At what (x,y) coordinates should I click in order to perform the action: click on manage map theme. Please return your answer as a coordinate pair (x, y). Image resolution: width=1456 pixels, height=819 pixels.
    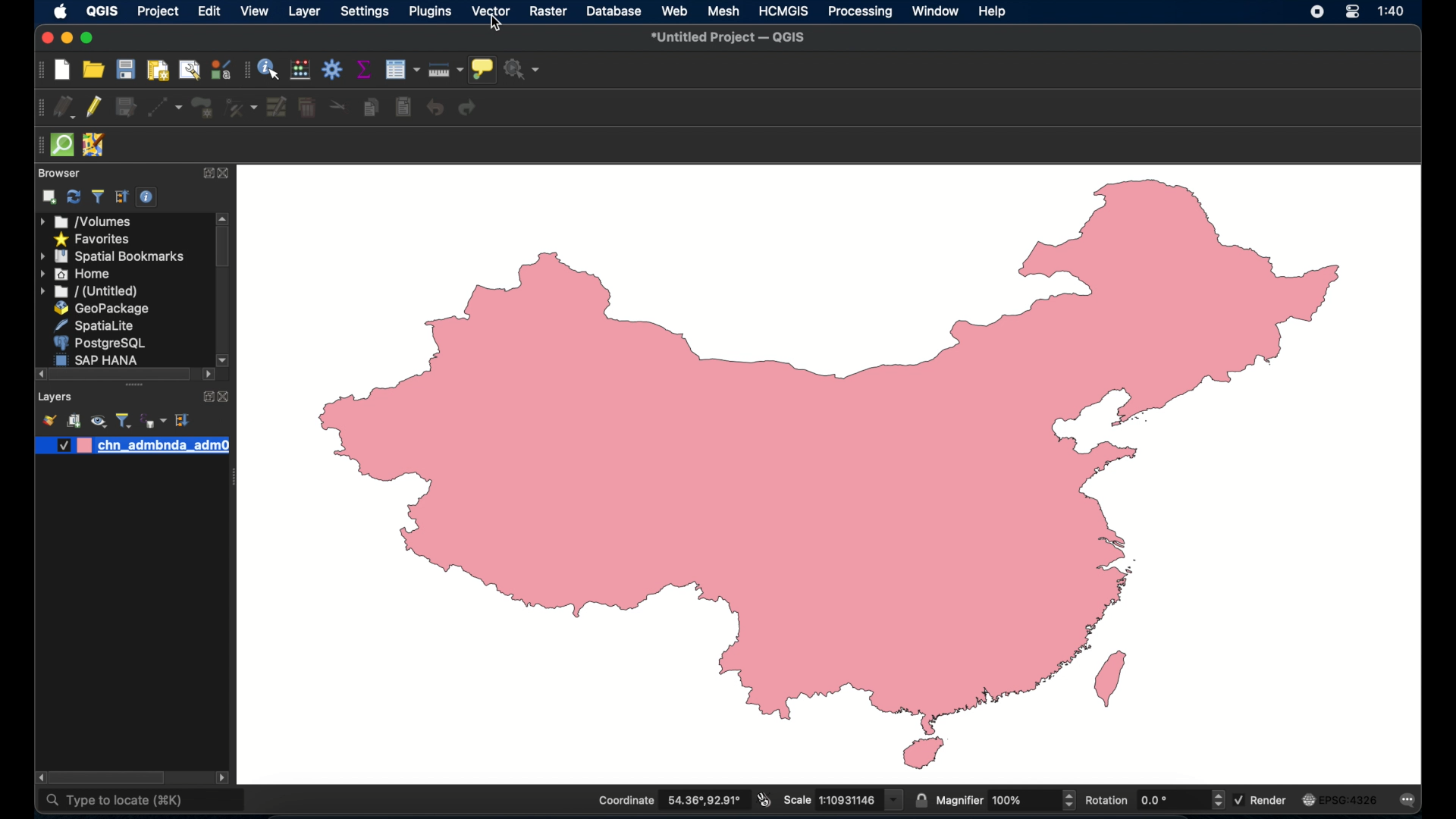
    Looking at the image, I should click on (99, 421).